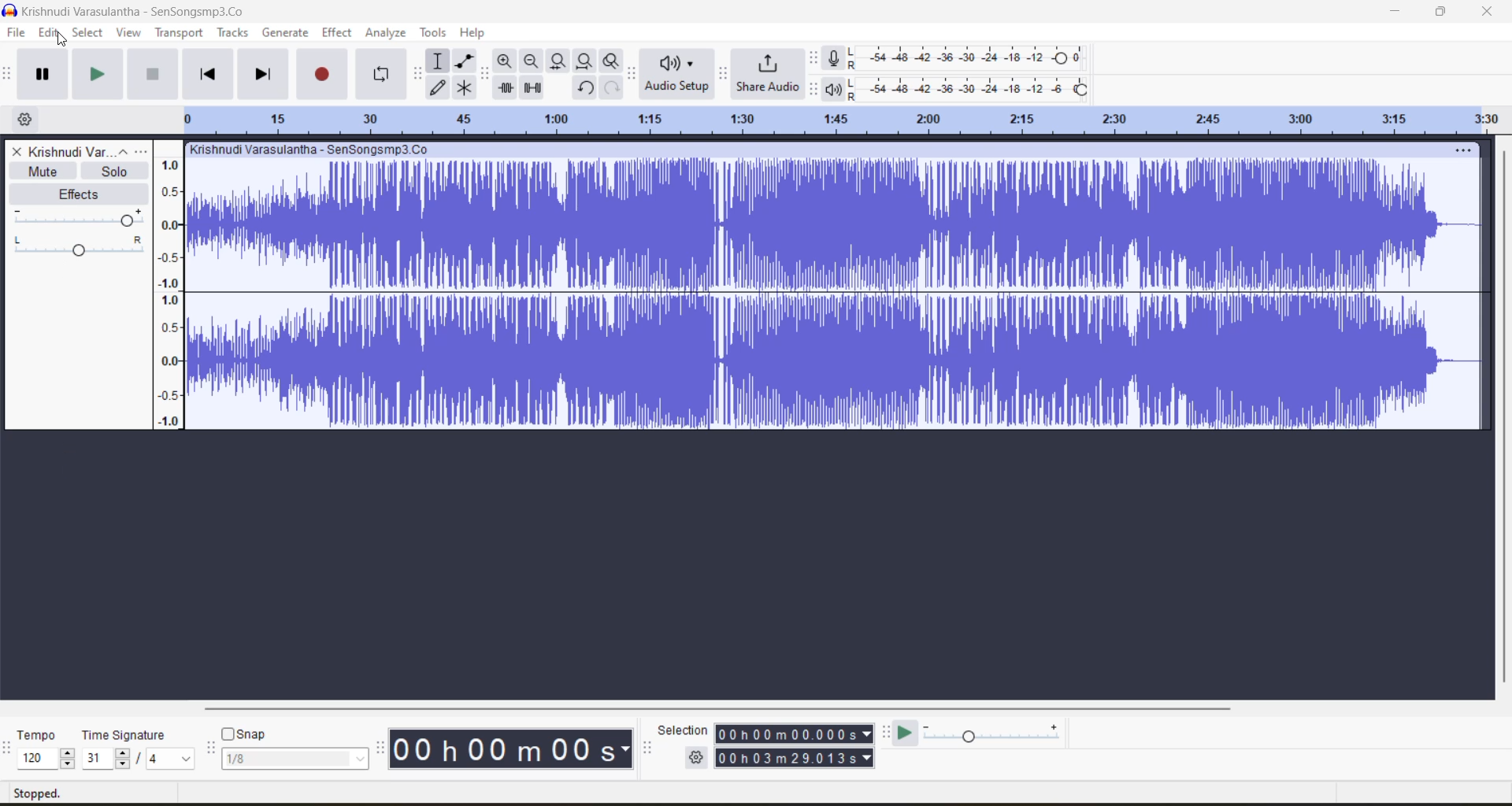 The image size is (1512, 806). Describe the element at coordinates (388, 34) in the screenshot. I see `analyze` at that location.